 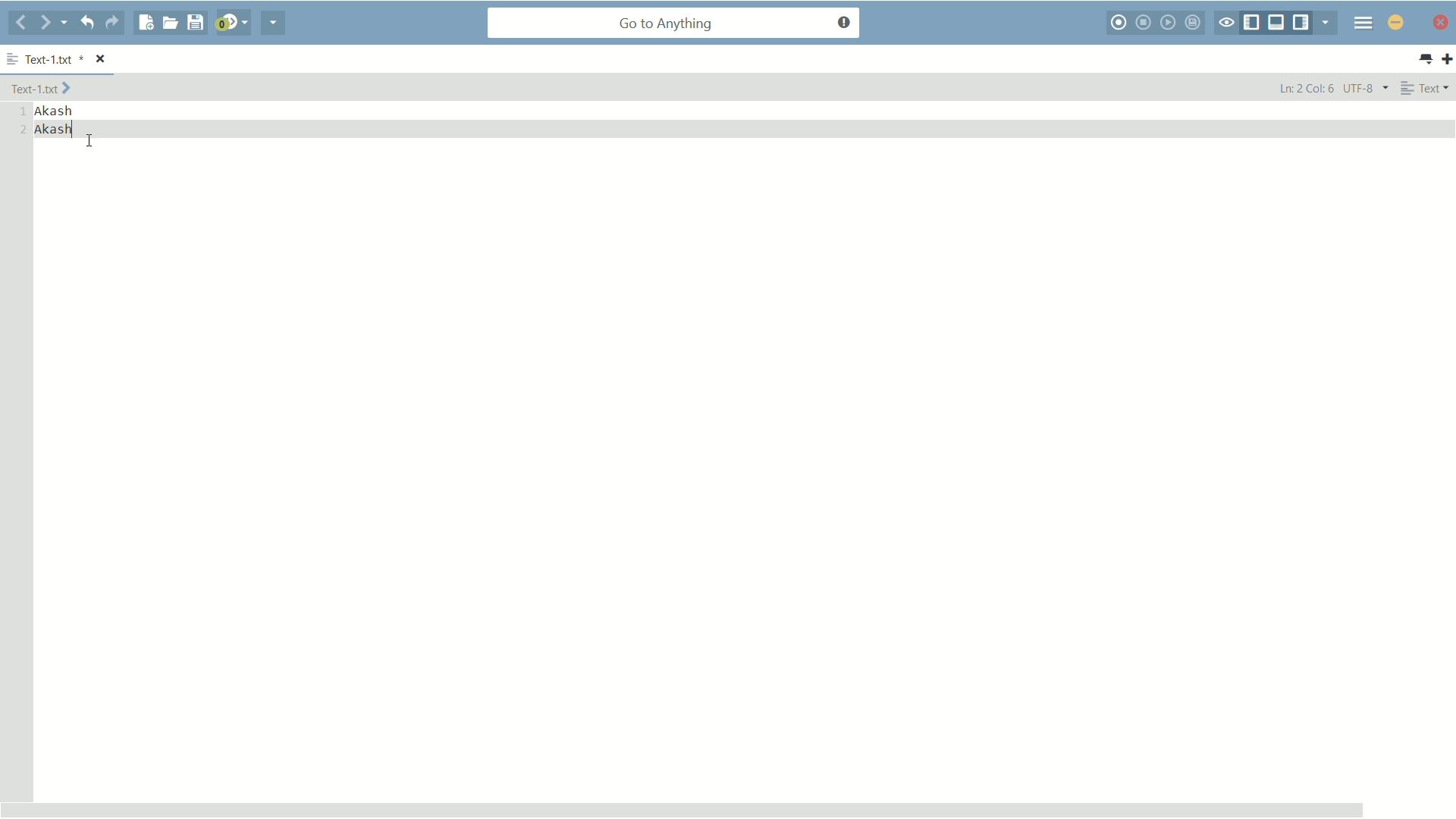 I want to click on line encoding, so click(x=1367, y=88).